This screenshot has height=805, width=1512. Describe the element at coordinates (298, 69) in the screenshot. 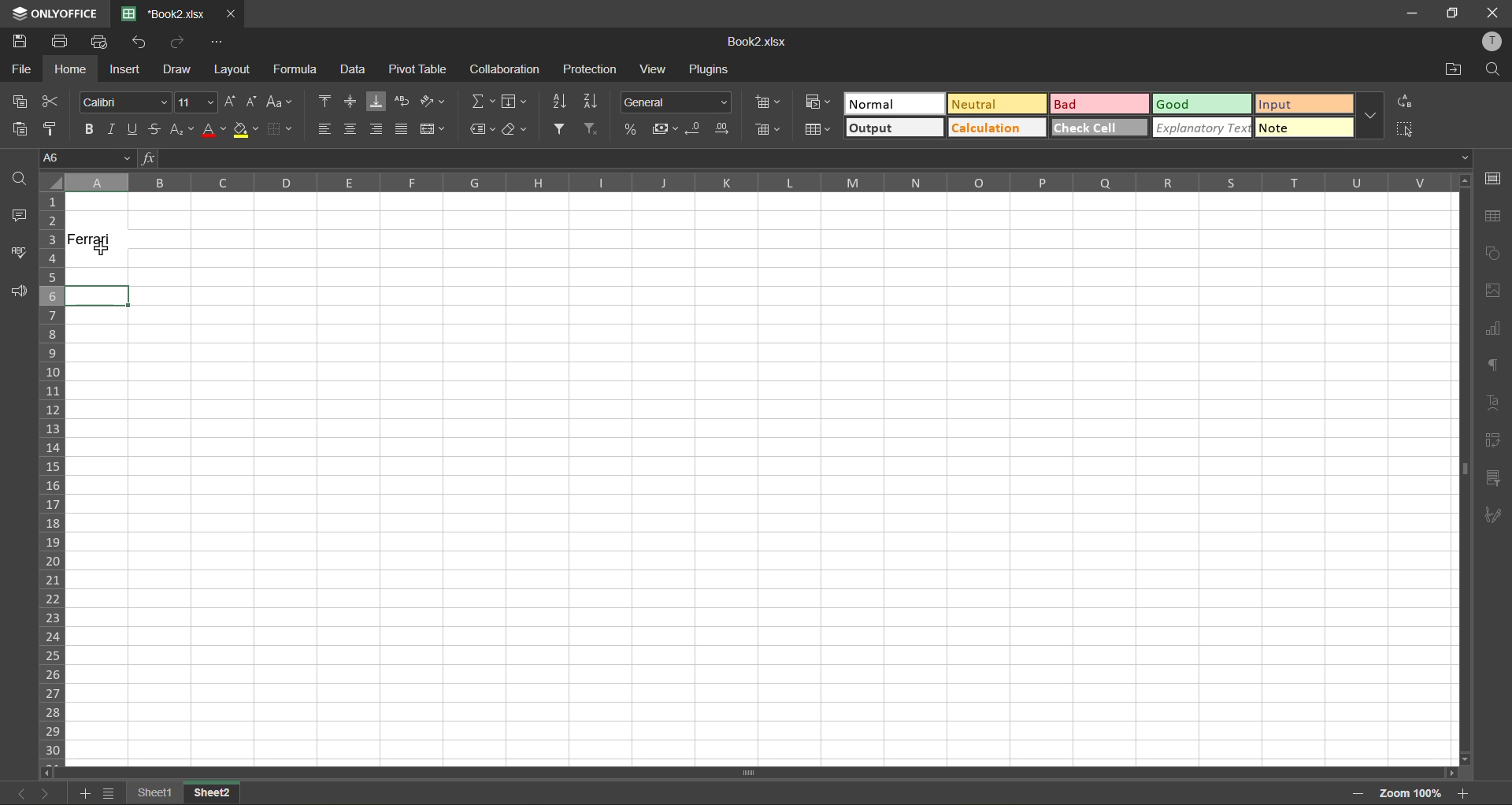

I see `formula` at that location.